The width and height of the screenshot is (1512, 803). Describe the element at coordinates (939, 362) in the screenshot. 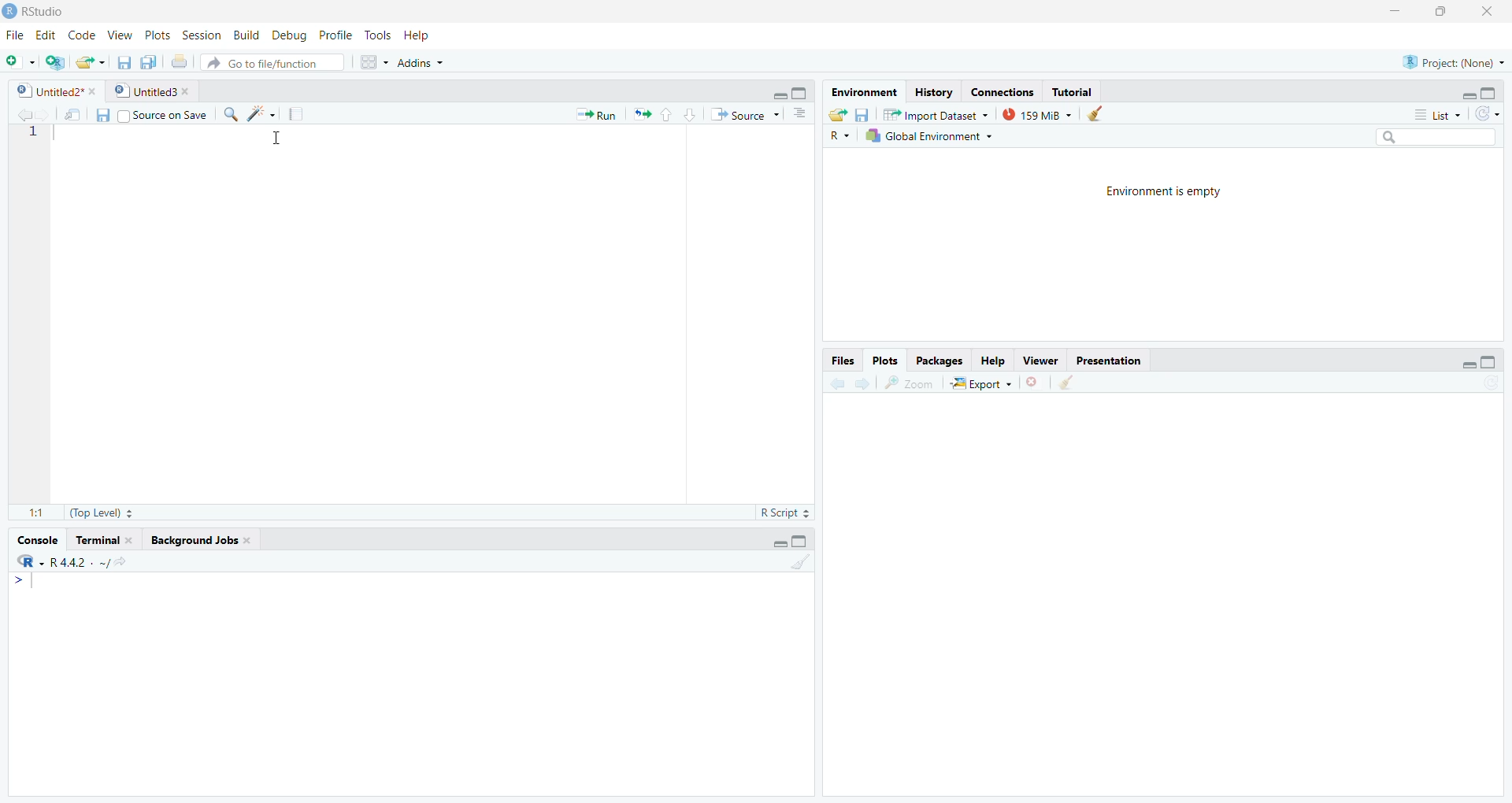

I see `Packages` at that location.